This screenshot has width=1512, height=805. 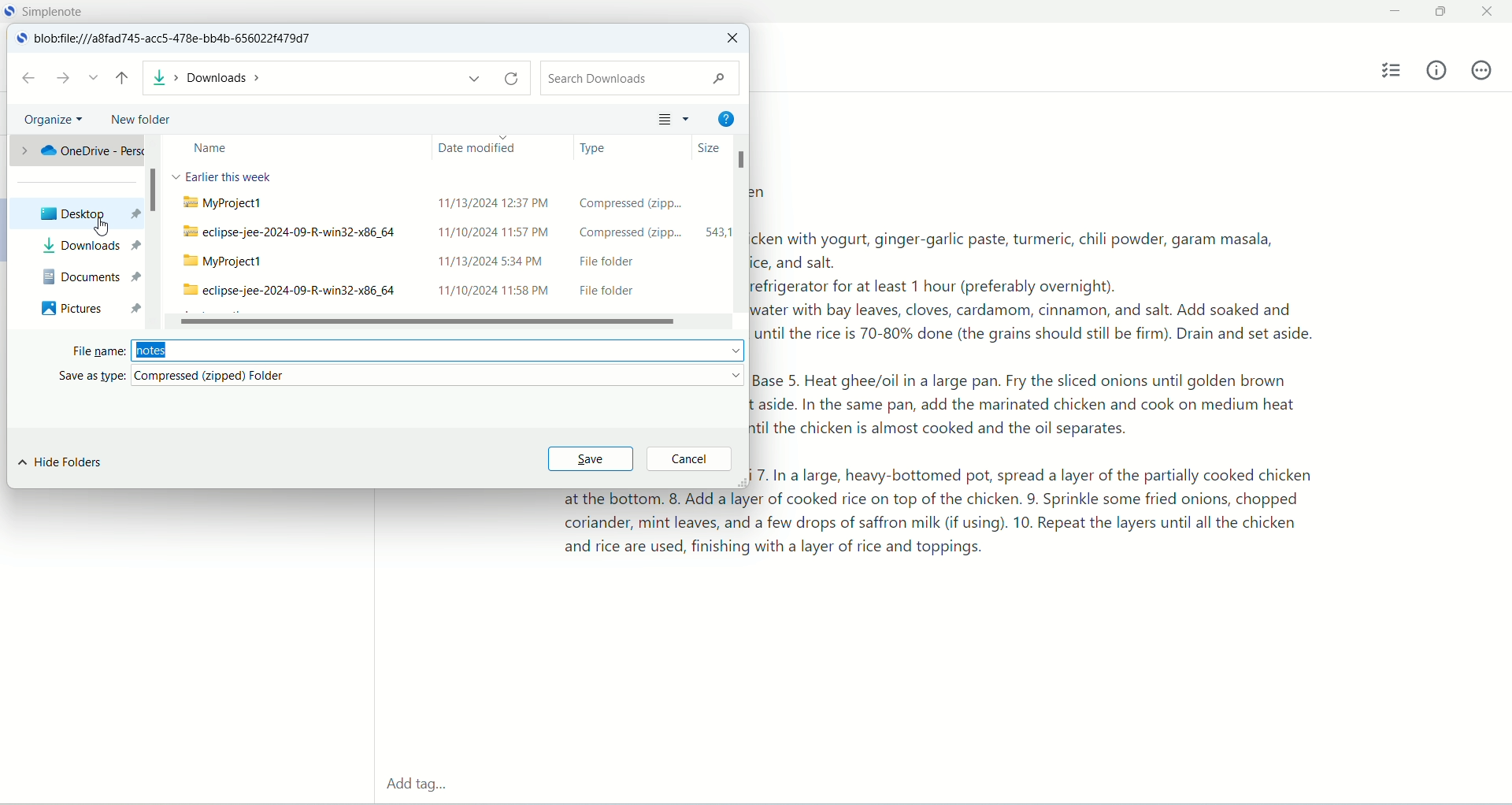 What do you see at coordinates (87, 247) in the screenshot?
I see `downloads` at bounding box center [87, 247].